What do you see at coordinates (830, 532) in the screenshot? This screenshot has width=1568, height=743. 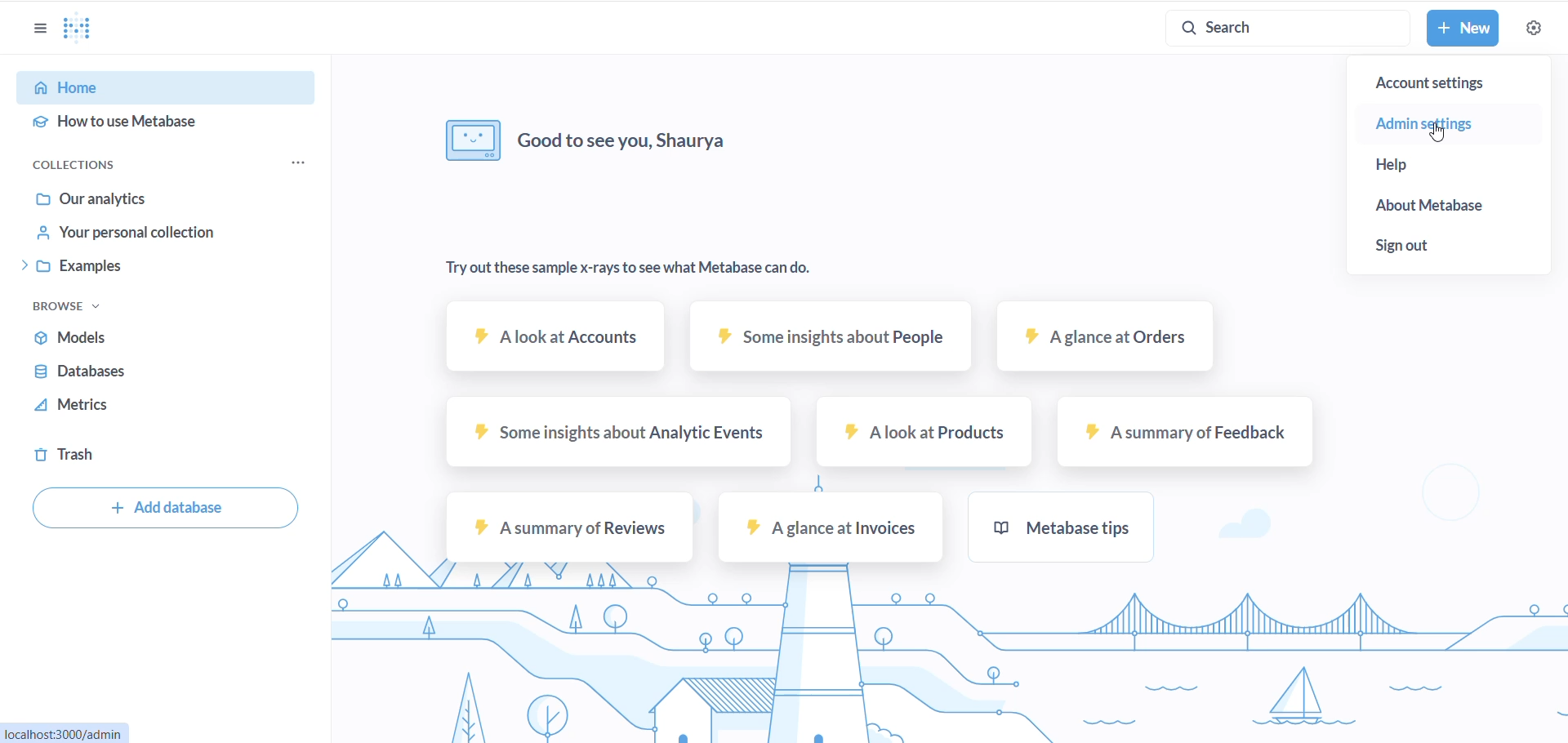 I see `A glance at Invoices sample` at bounding box center [830, 532].